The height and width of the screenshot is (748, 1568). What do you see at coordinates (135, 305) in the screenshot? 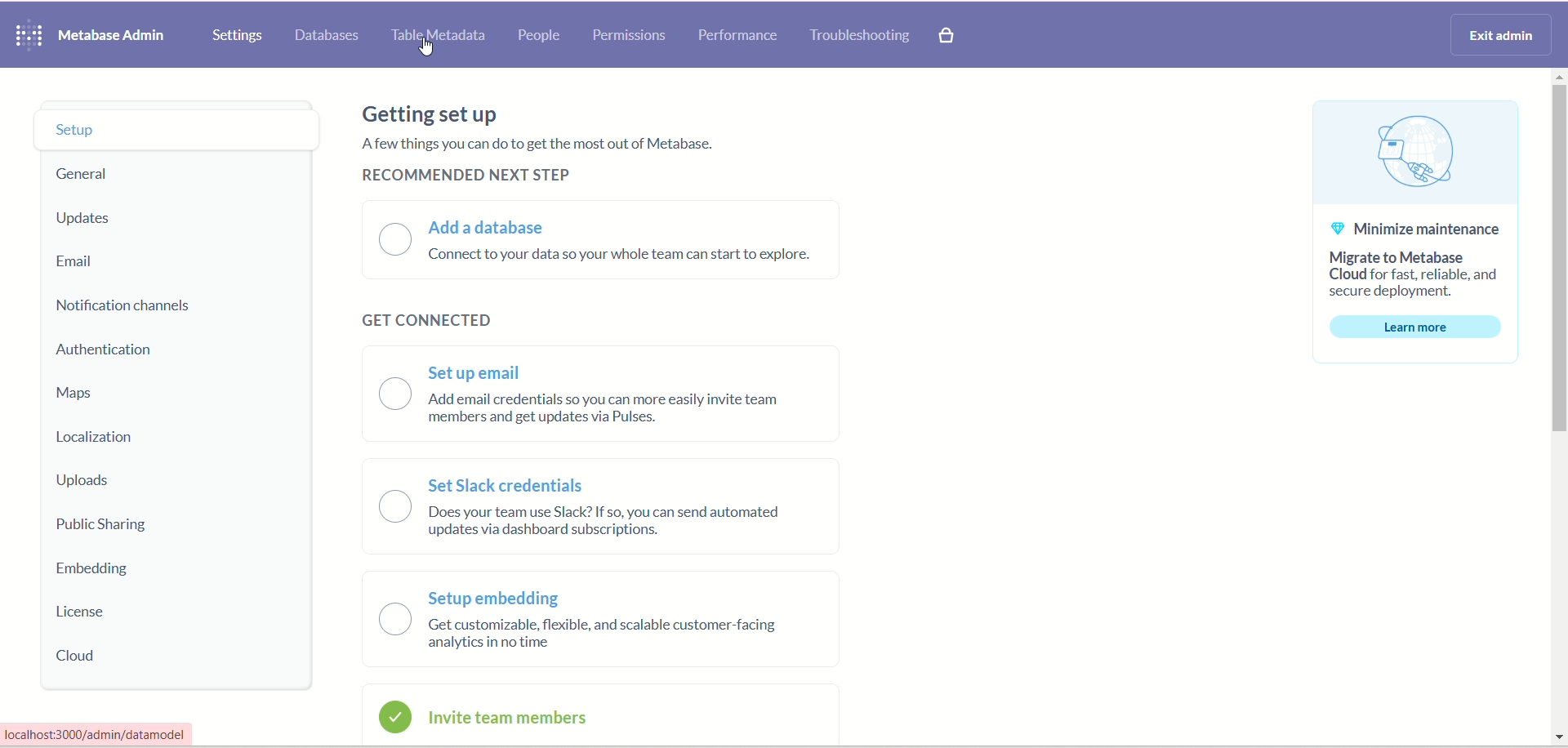
I see `notification channels` at bounding box center [135, 305].